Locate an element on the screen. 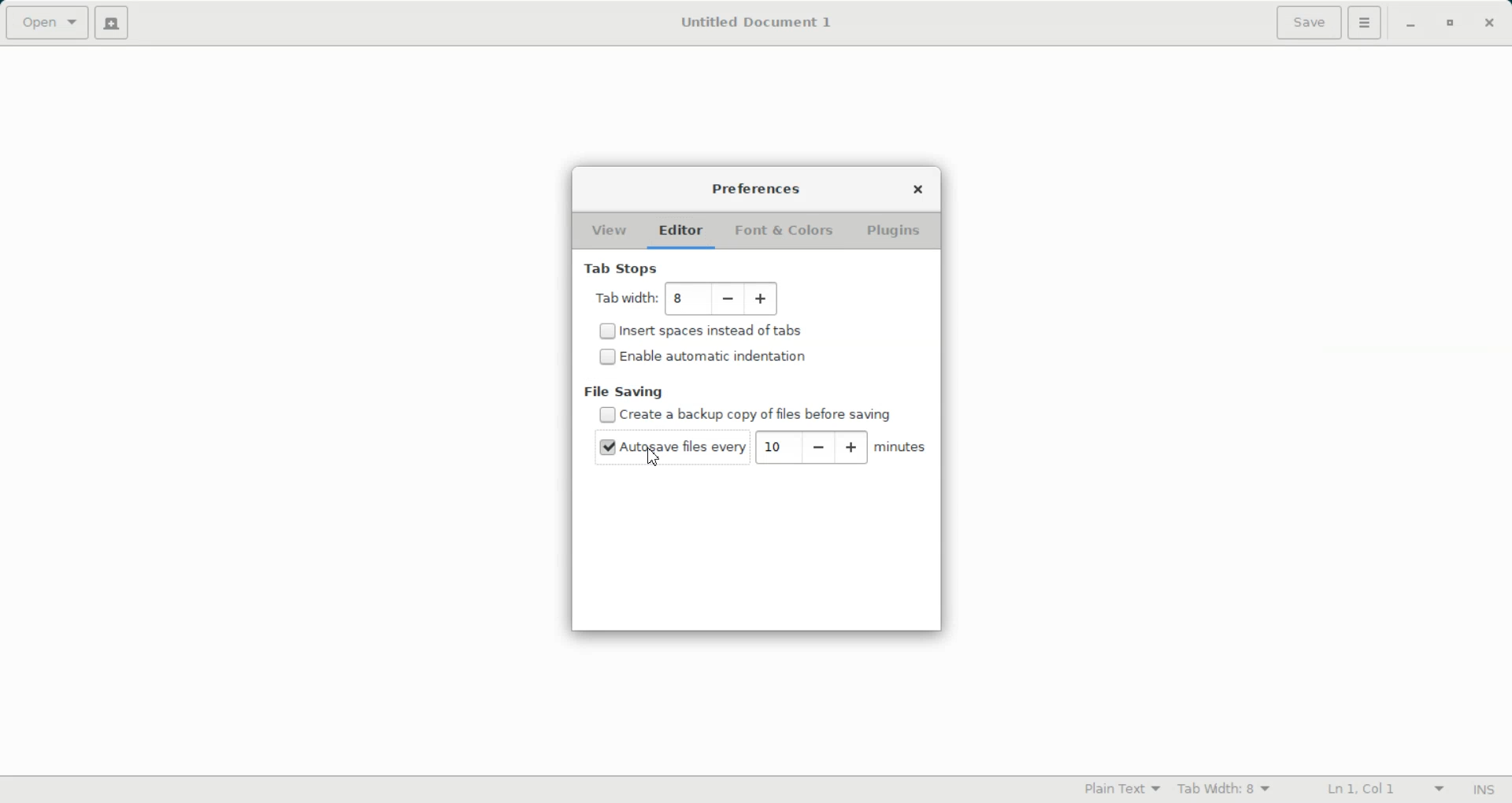 The width and height of the screenshot is (1512, 803). Close is located at coordinates (1489, 22).